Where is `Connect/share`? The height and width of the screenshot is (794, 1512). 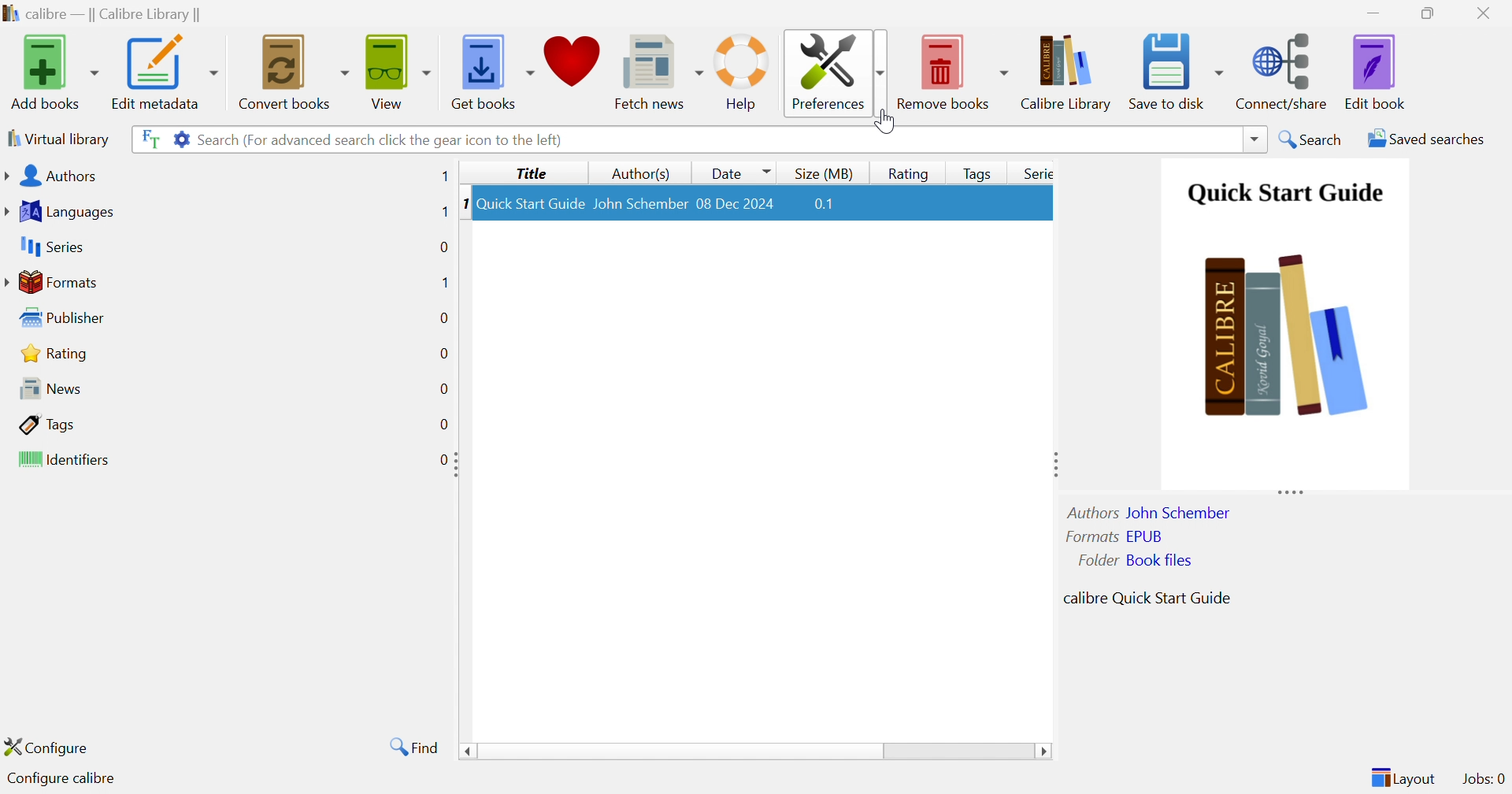 Connect/share is located at coordinates (1284, 68).